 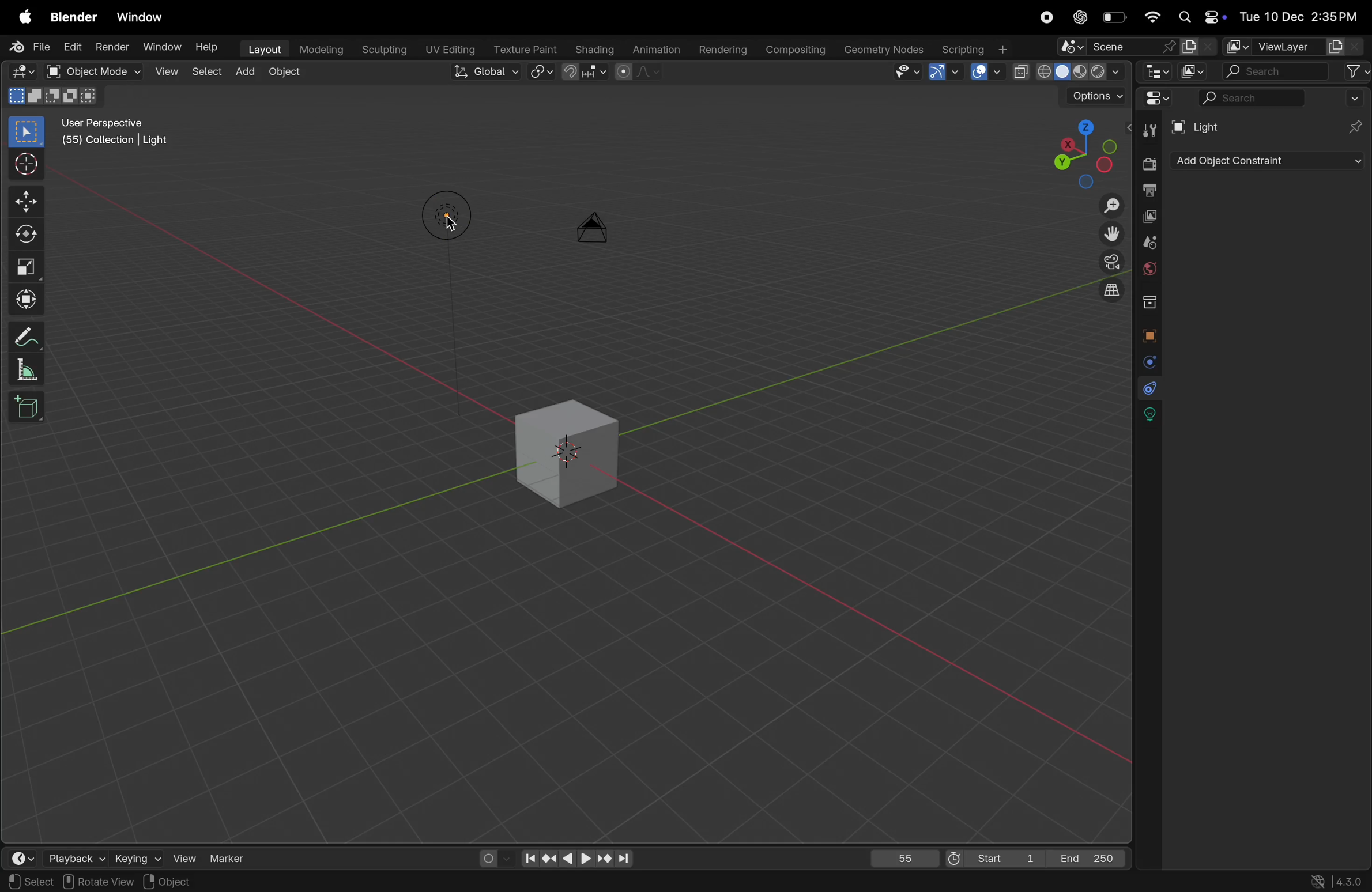 What do you see at coordinates (1114, 207) in the screenshot?
I see `Zoom` at bounding box center [1114, 207].